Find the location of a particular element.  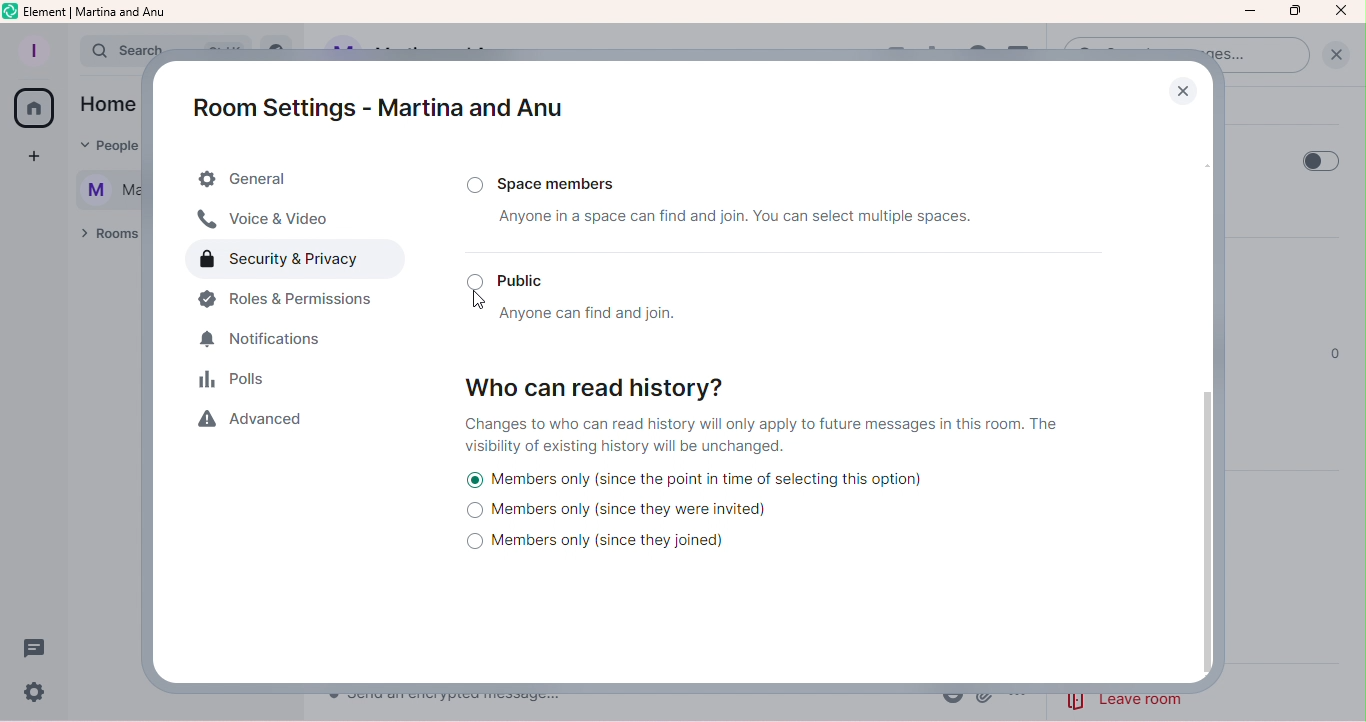

Create a space is located at coordinates (38, 160).